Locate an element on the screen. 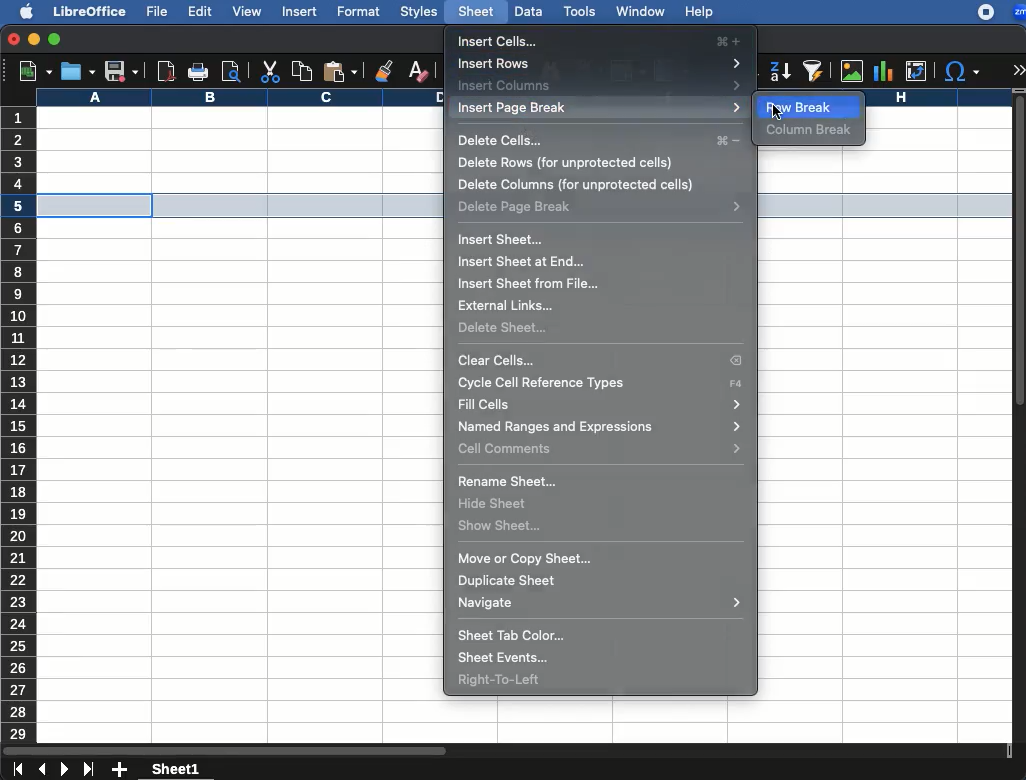 The height and width of the screenshot is (780, 1026). sheet events is located at coordinates (507, 659).